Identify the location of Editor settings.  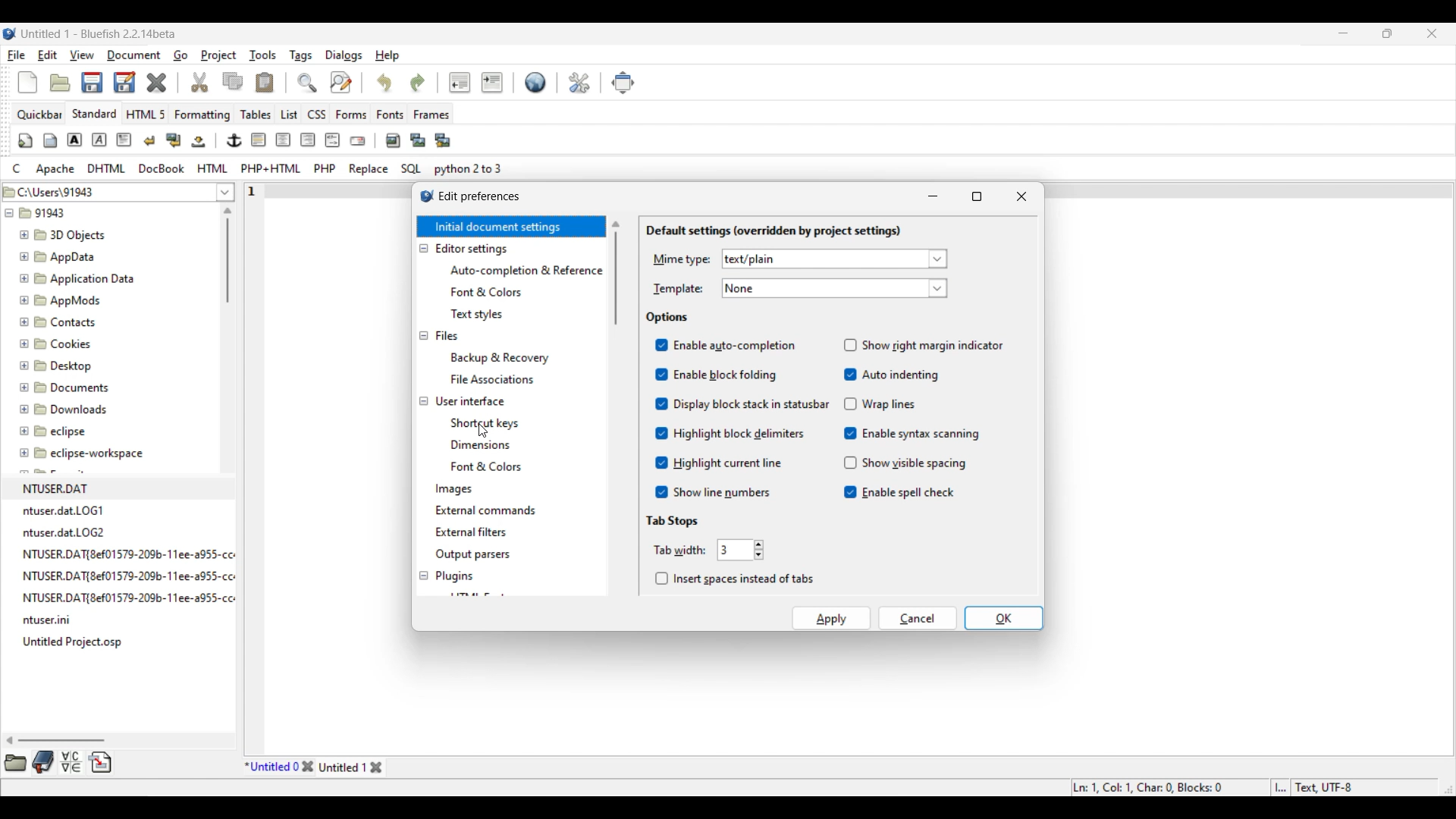
(472, 249).